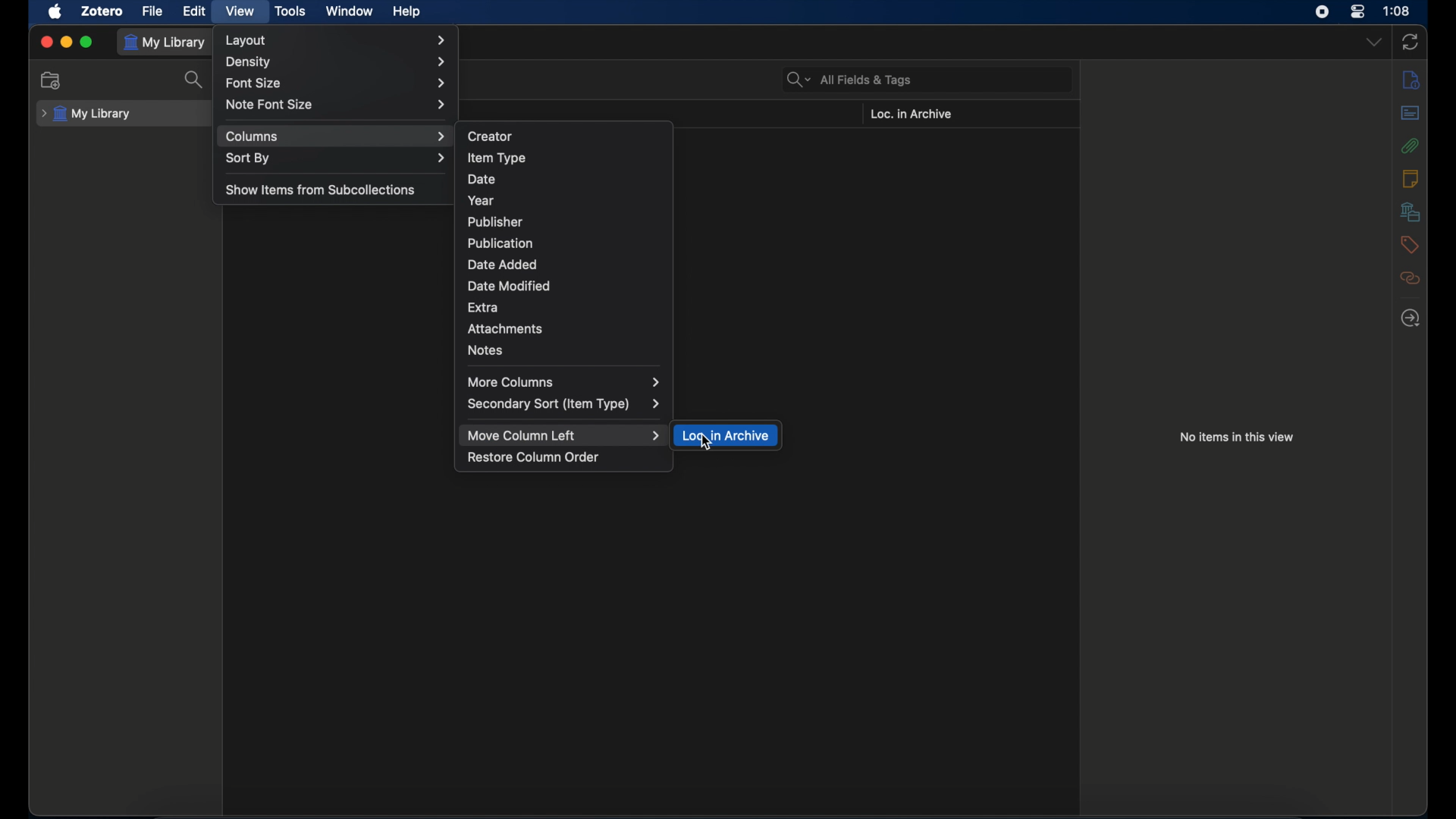 Image resolution: width=1456 pixels, height=819 pixels. Describe the element at coordinates (335, 40) in the screenshot. I see `layout` at that location.